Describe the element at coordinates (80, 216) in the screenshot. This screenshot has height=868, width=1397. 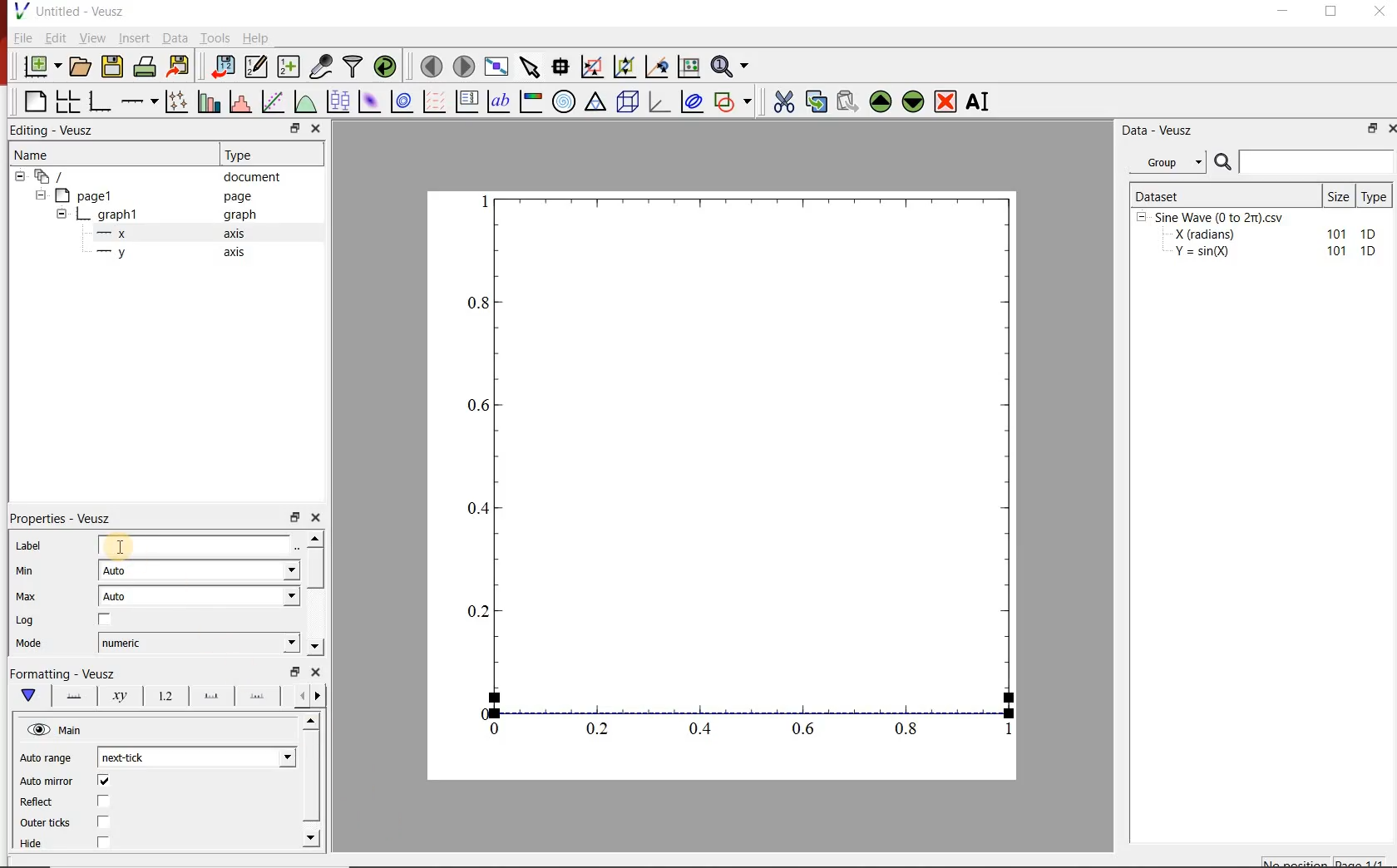
I see `Page 1 Graph 1` at that location.